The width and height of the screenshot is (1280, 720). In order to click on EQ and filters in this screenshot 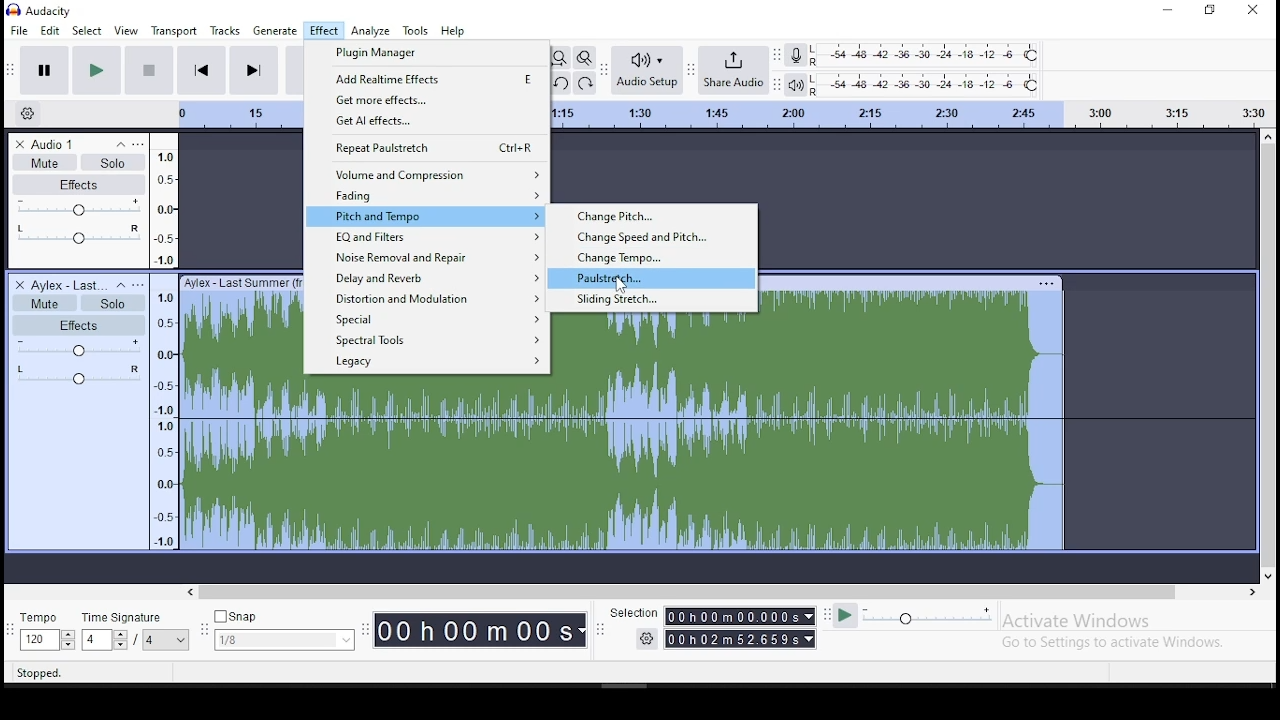, I will do `click(428, 238)`.